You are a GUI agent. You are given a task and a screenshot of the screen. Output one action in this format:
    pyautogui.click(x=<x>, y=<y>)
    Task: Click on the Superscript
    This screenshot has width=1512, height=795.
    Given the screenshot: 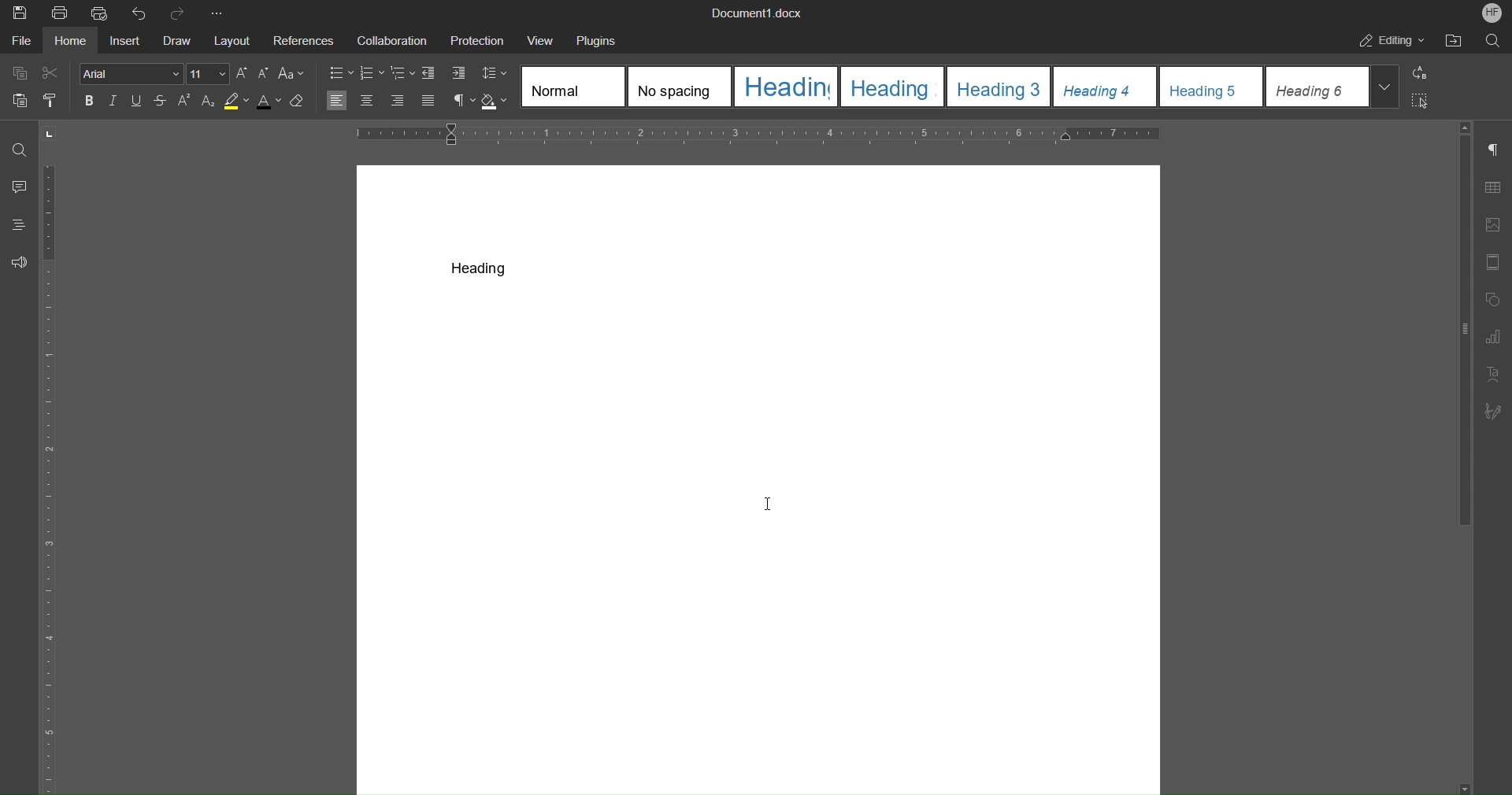 What is the action you would take?
    pyautogui.click(x=188, y=102)
    